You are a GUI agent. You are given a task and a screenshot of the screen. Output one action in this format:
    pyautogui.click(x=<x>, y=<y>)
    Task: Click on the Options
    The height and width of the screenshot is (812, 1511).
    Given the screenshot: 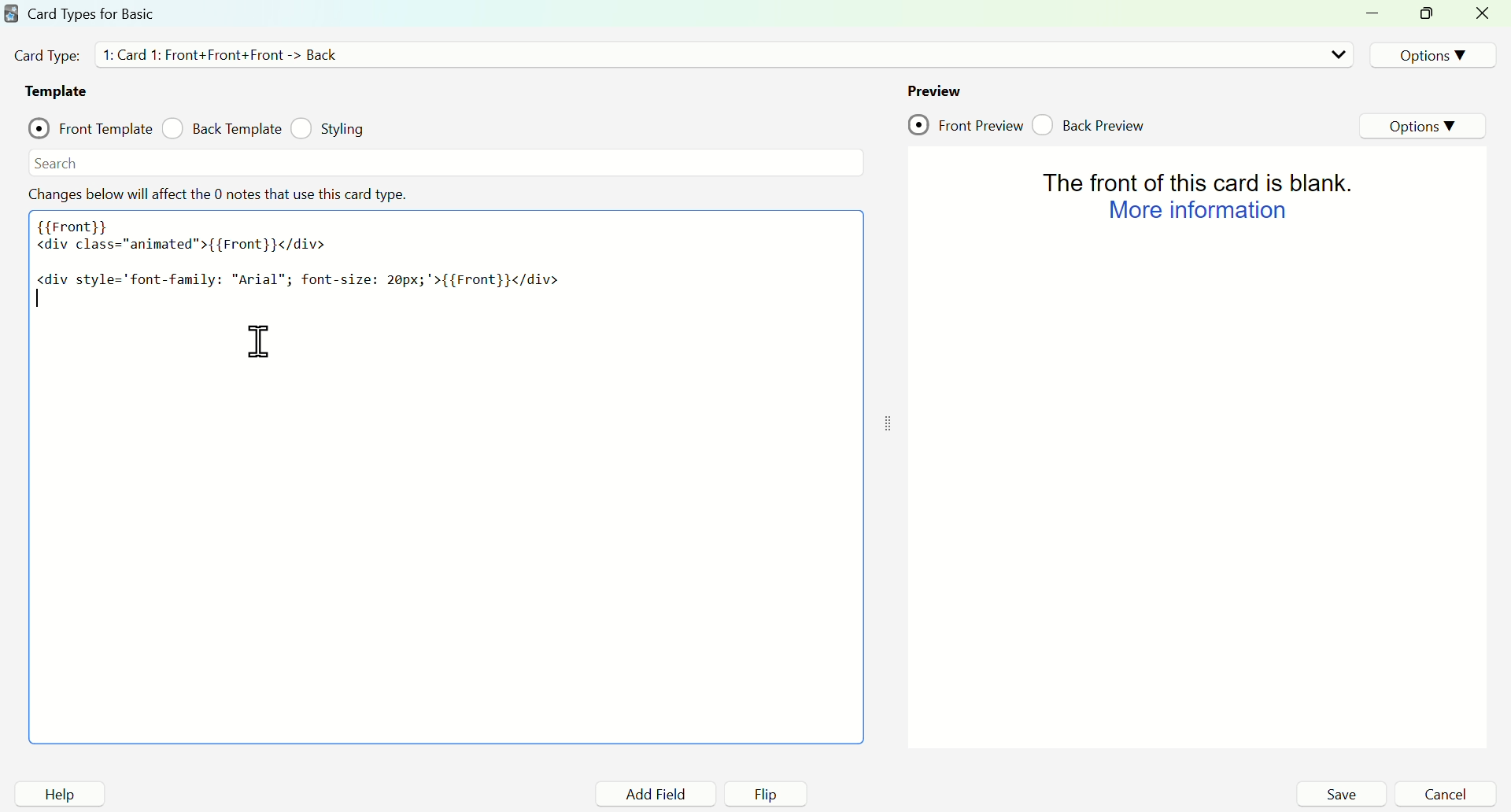 What is the action you would take?
    pyautogui.click(x=1429, y=54)
    